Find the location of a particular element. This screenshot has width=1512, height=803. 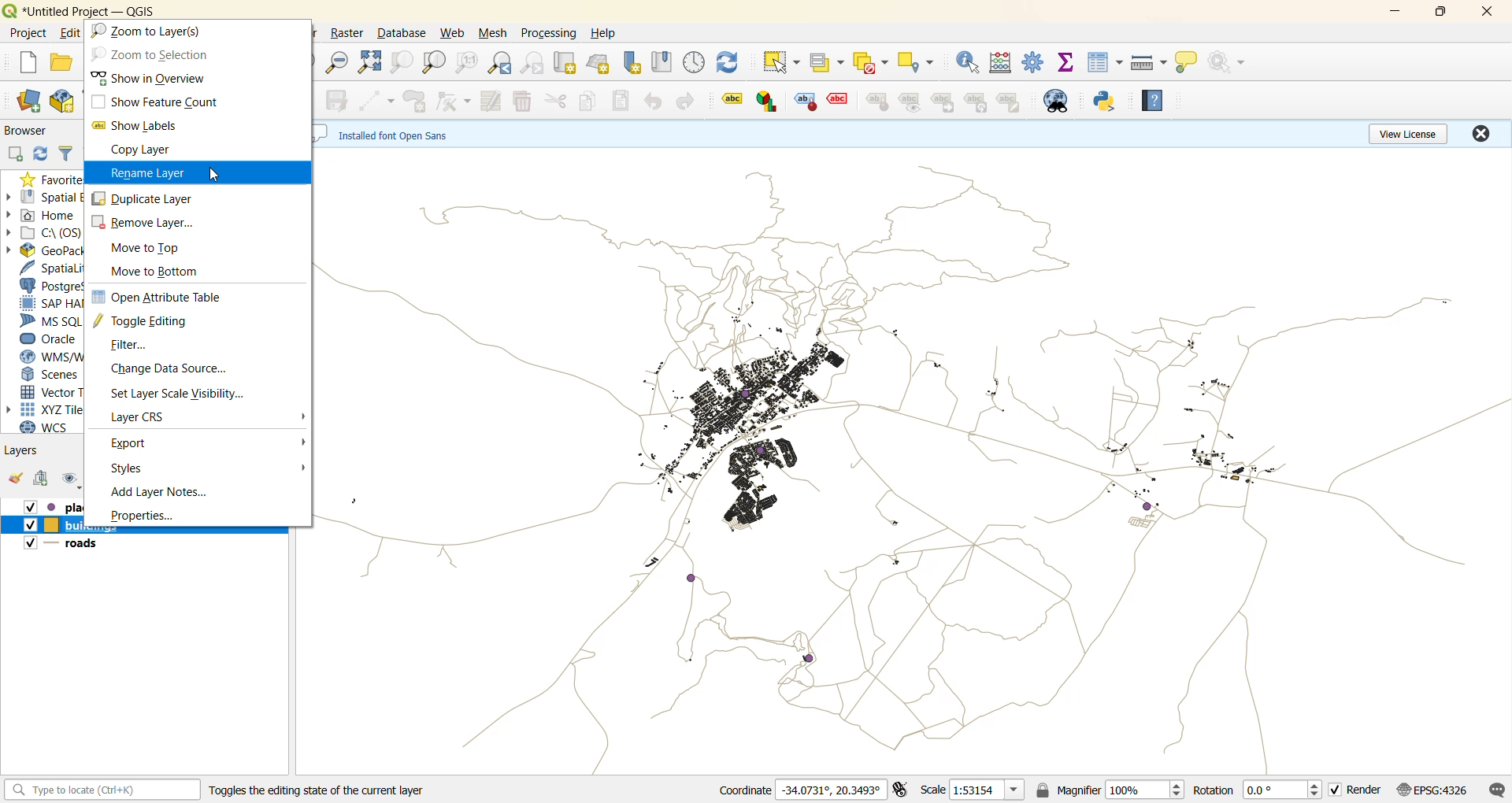

copy layer is located at coordinates (150, 150).